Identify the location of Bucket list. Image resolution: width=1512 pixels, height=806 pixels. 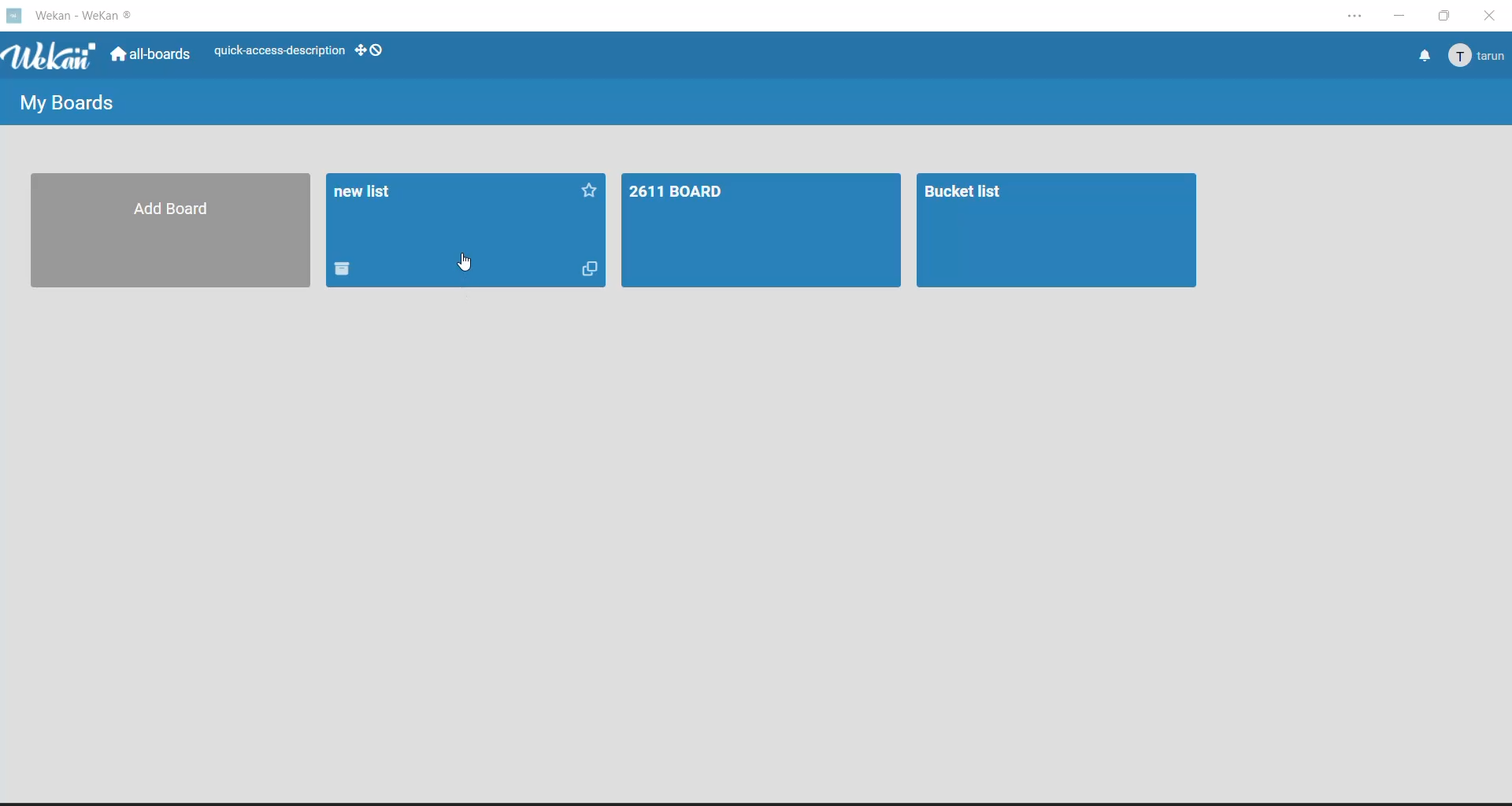
(1054, 231).